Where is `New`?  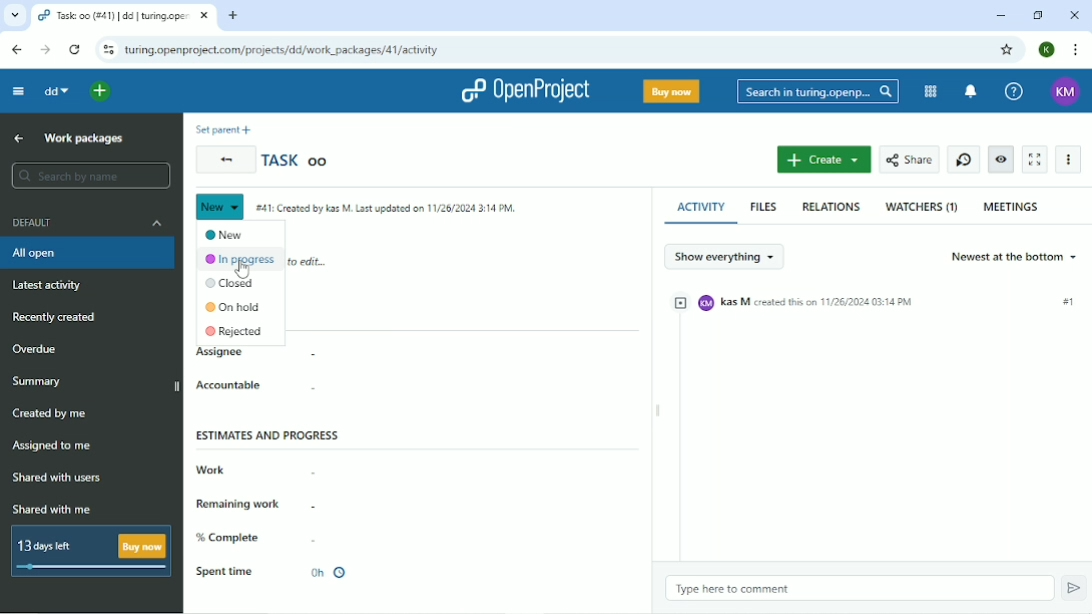
New is located at coordinates (227, 234).